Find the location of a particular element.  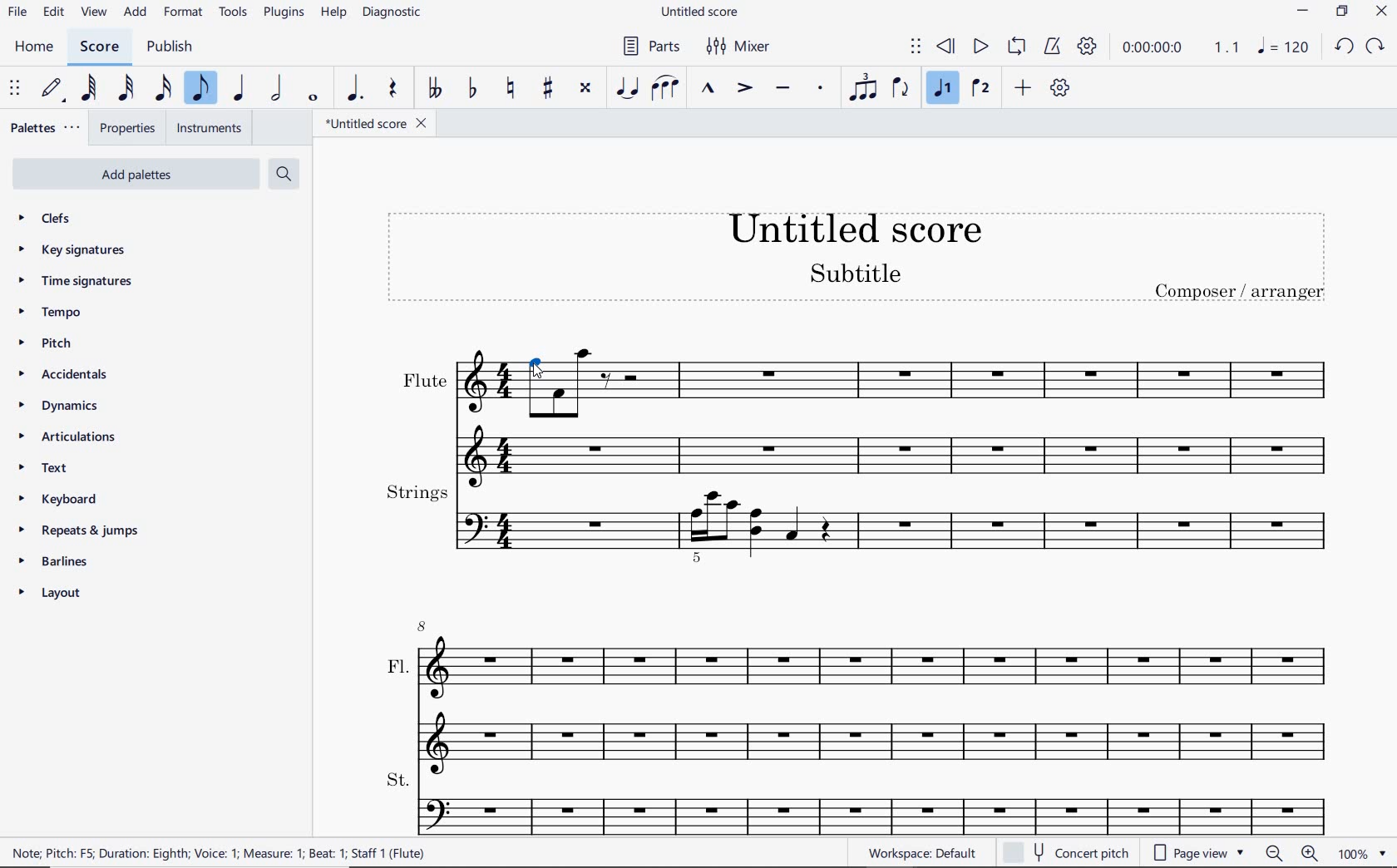

16TH NOTE is located at coordinates (163, 89).